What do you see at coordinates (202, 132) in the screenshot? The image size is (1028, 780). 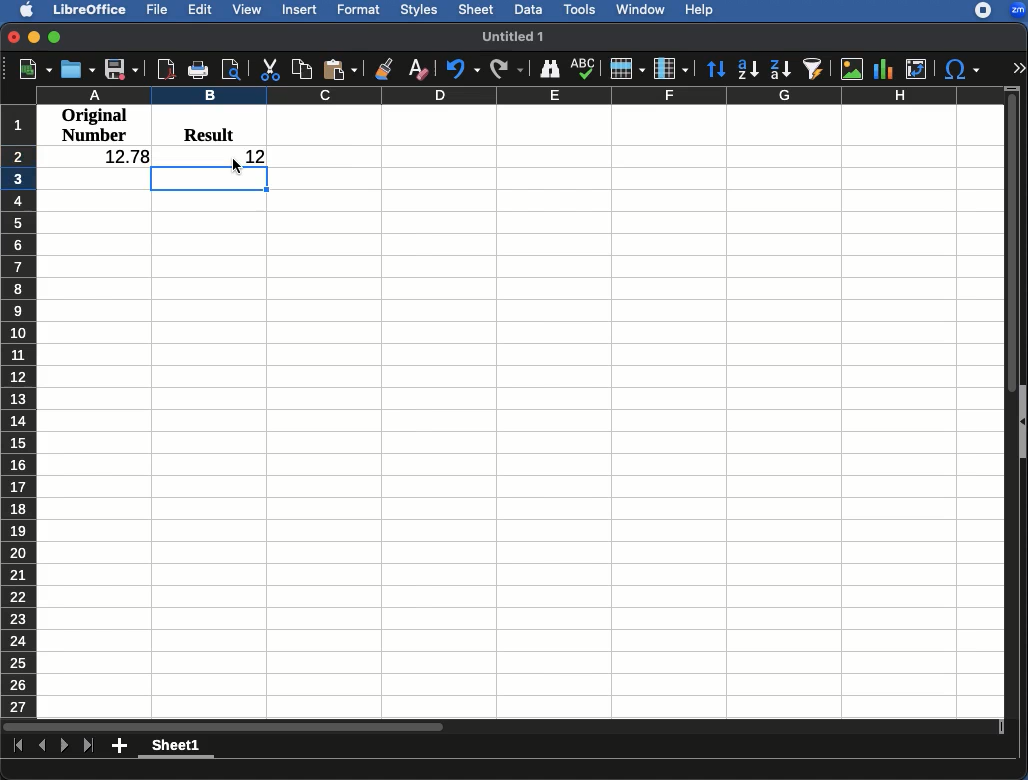 I see `Result` at bounding box center [202, 132].